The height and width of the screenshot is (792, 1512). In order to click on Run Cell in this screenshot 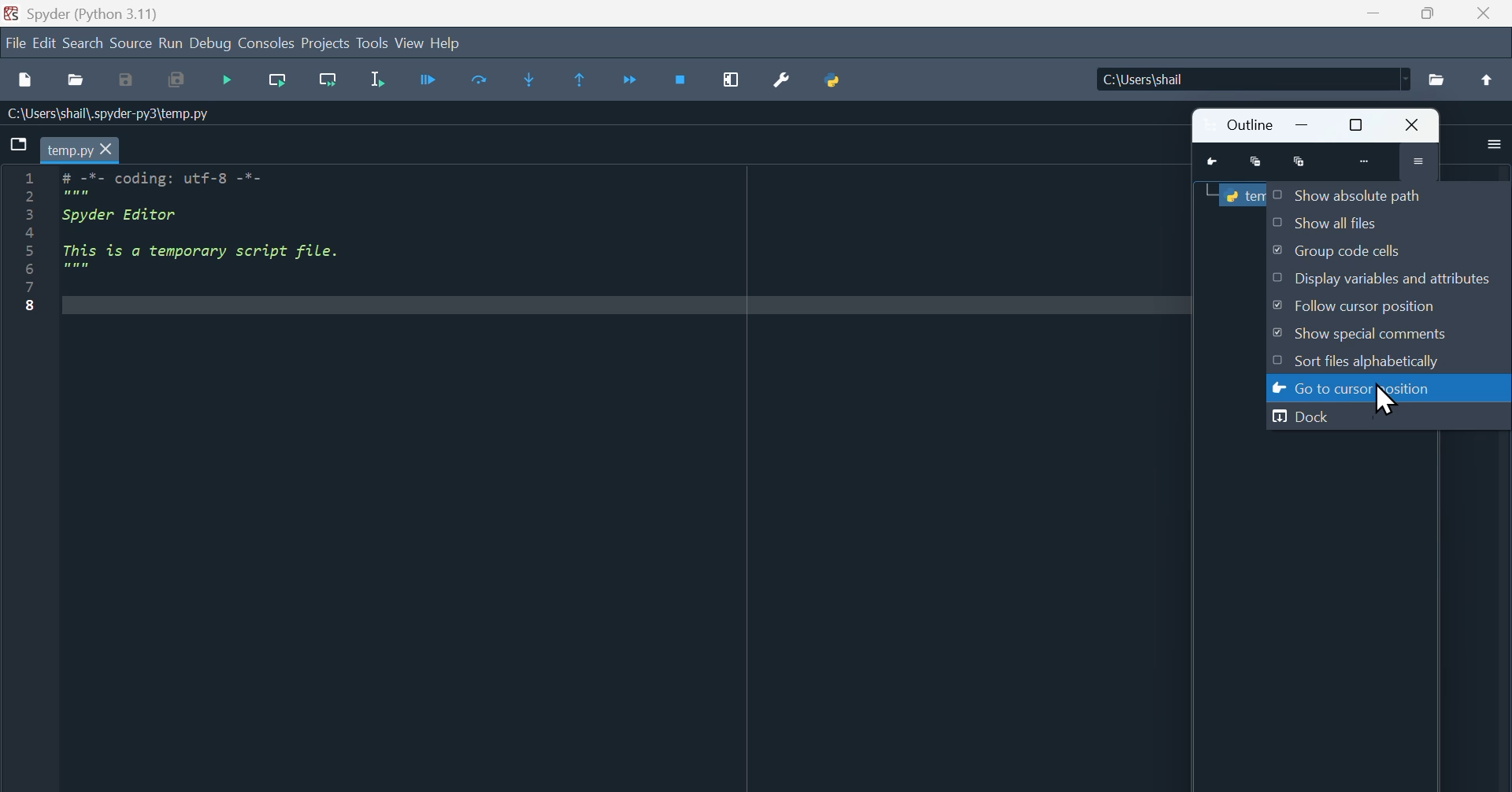, I will do `click(480, 79)`.